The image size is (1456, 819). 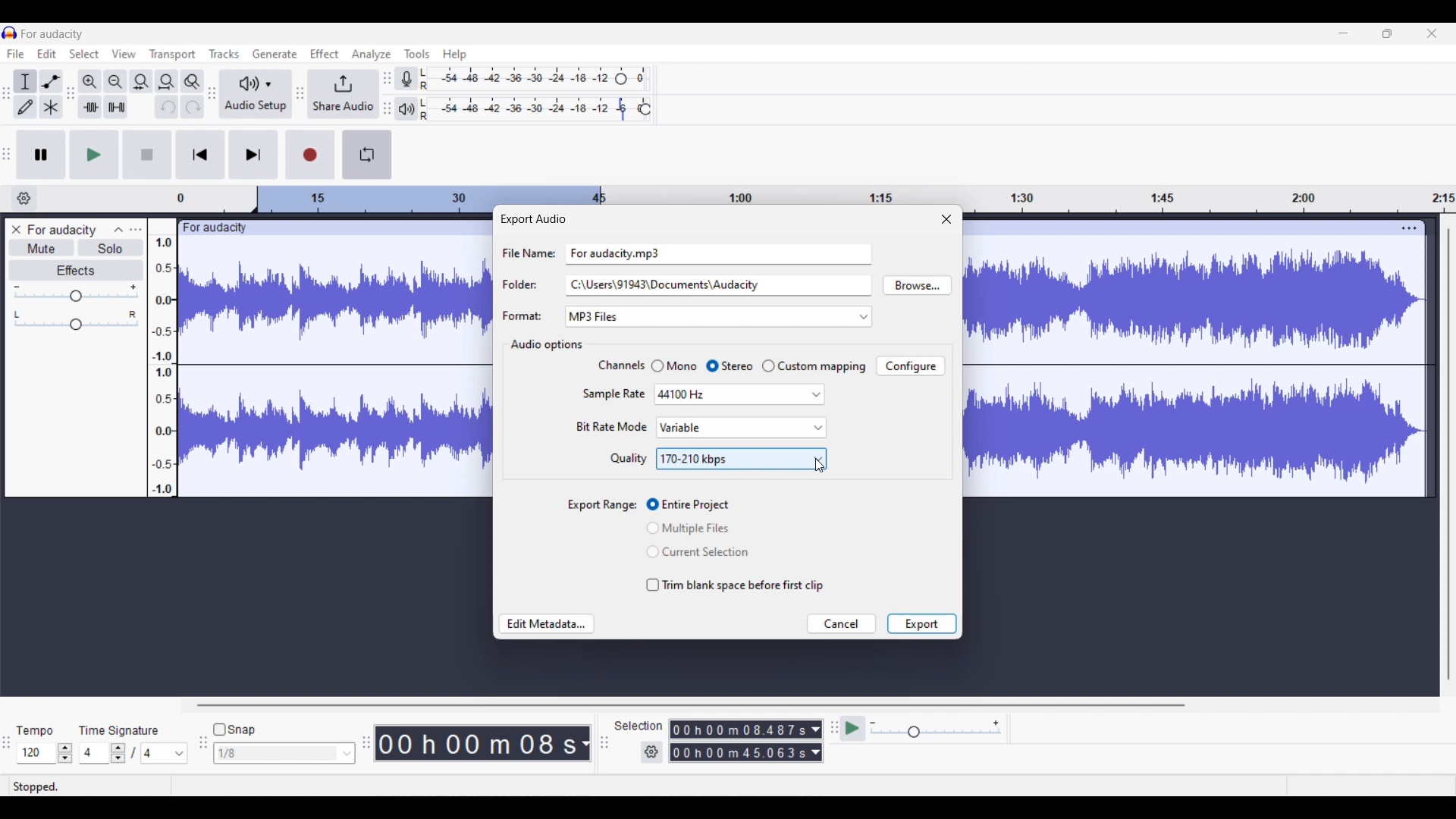 What do you see at coordinates (698, 552) in the screenshot?
I see `Toggle for 'Current Selection'` at bounding box center [698, 552].